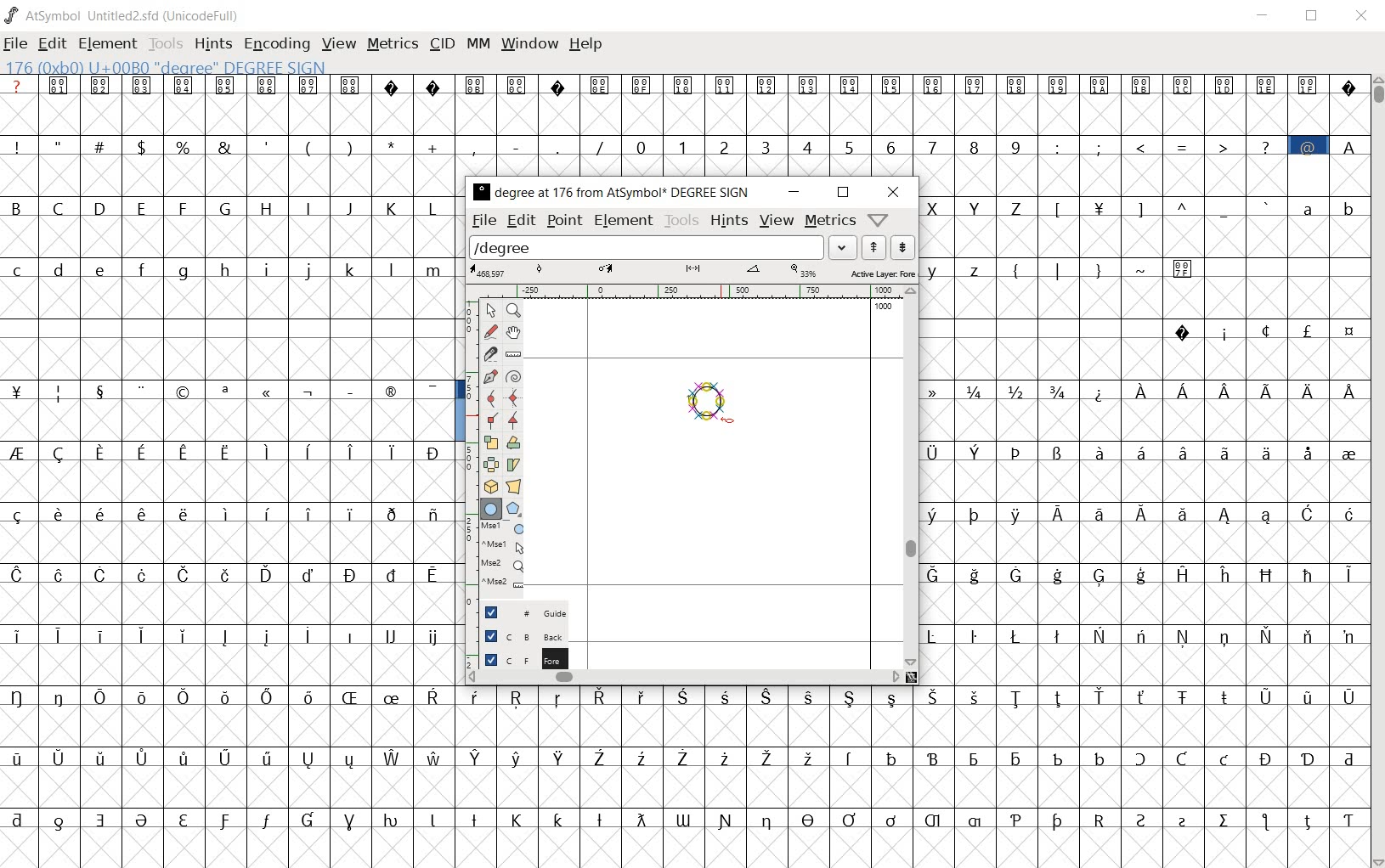  What do you see at coordinates (682, 114) in the screenshot?
I see `empty glyph slots` at bounding box center [682, 114].